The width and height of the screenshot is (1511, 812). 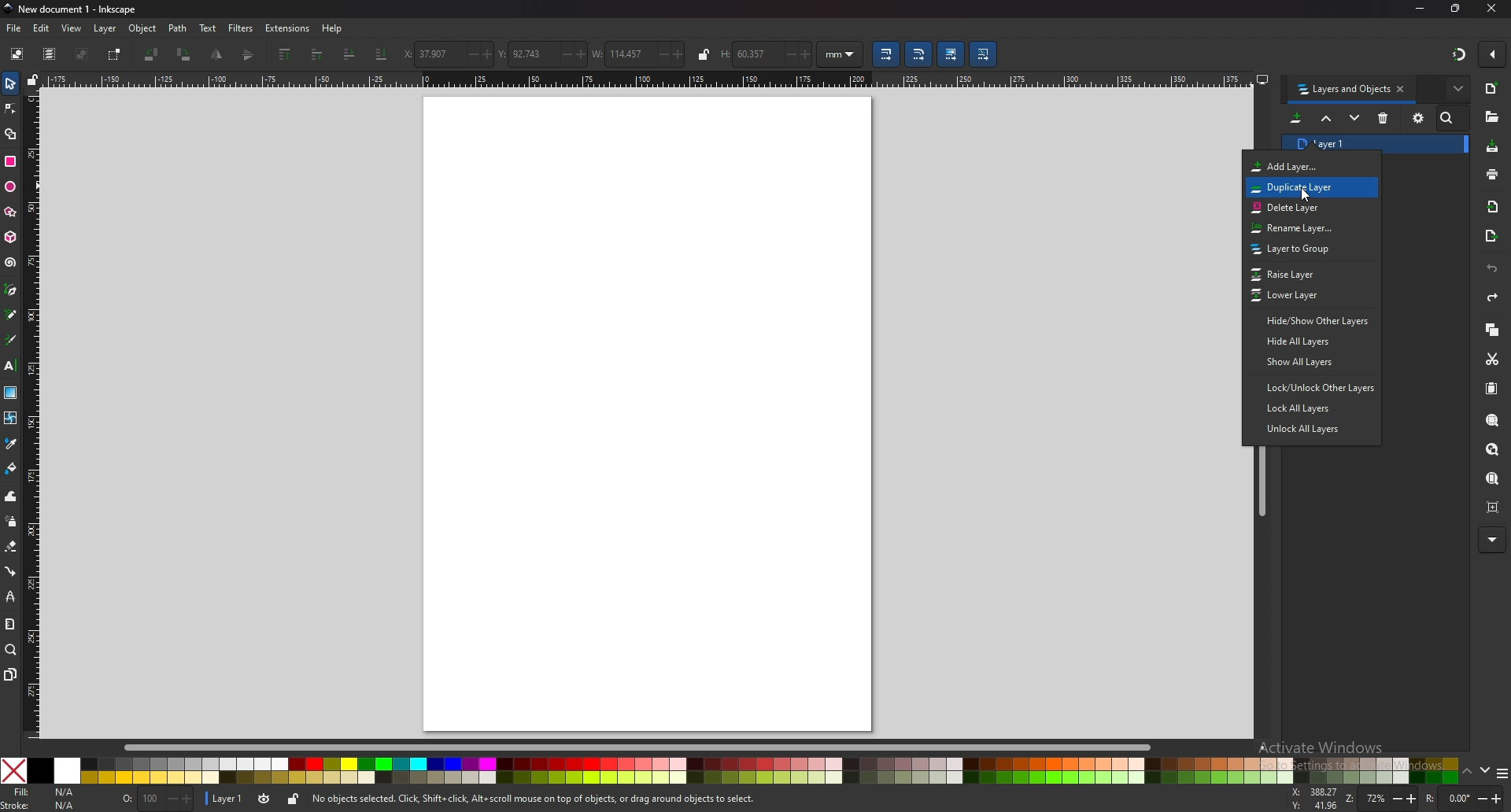 I want to click on decrease, so click(x=467, y=55).